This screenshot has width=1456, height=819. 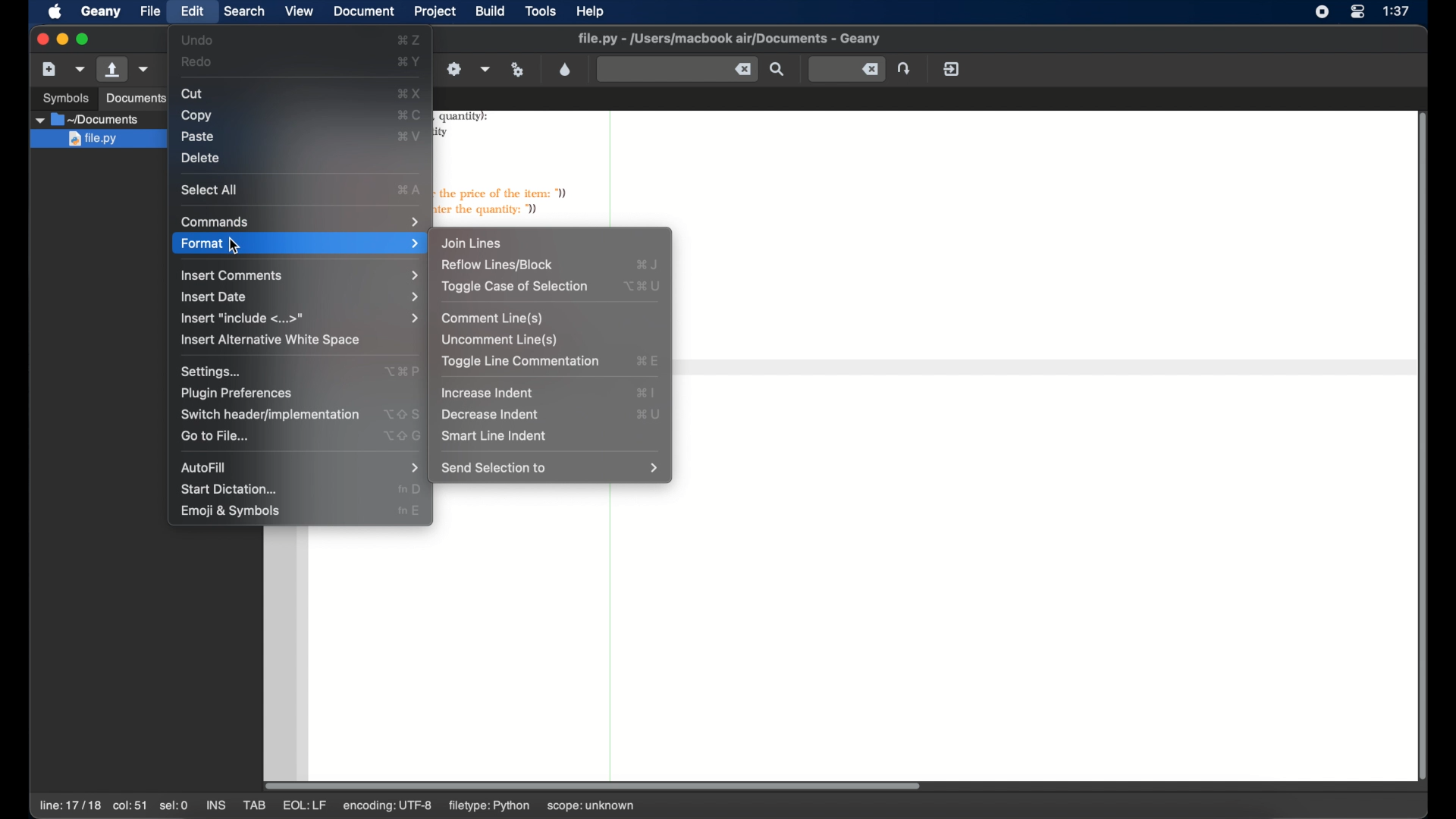 What do you see at coordinates (1357, 12) in the screenshot?
I see `control center` at bounding box center [1357, 12].